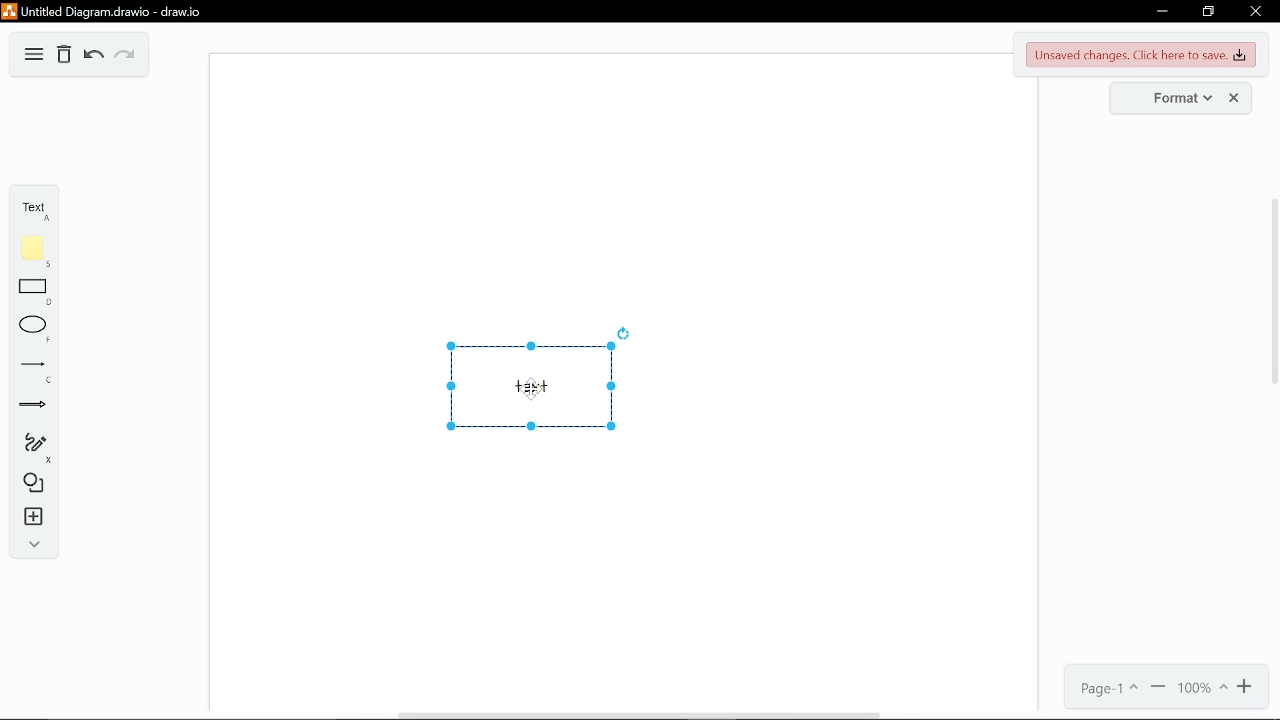 Image resolution: width=1280 pixels, height=720 pixels. Describe the element at coordinates (1254, 13) in the screenshot. I see `close` at that location.